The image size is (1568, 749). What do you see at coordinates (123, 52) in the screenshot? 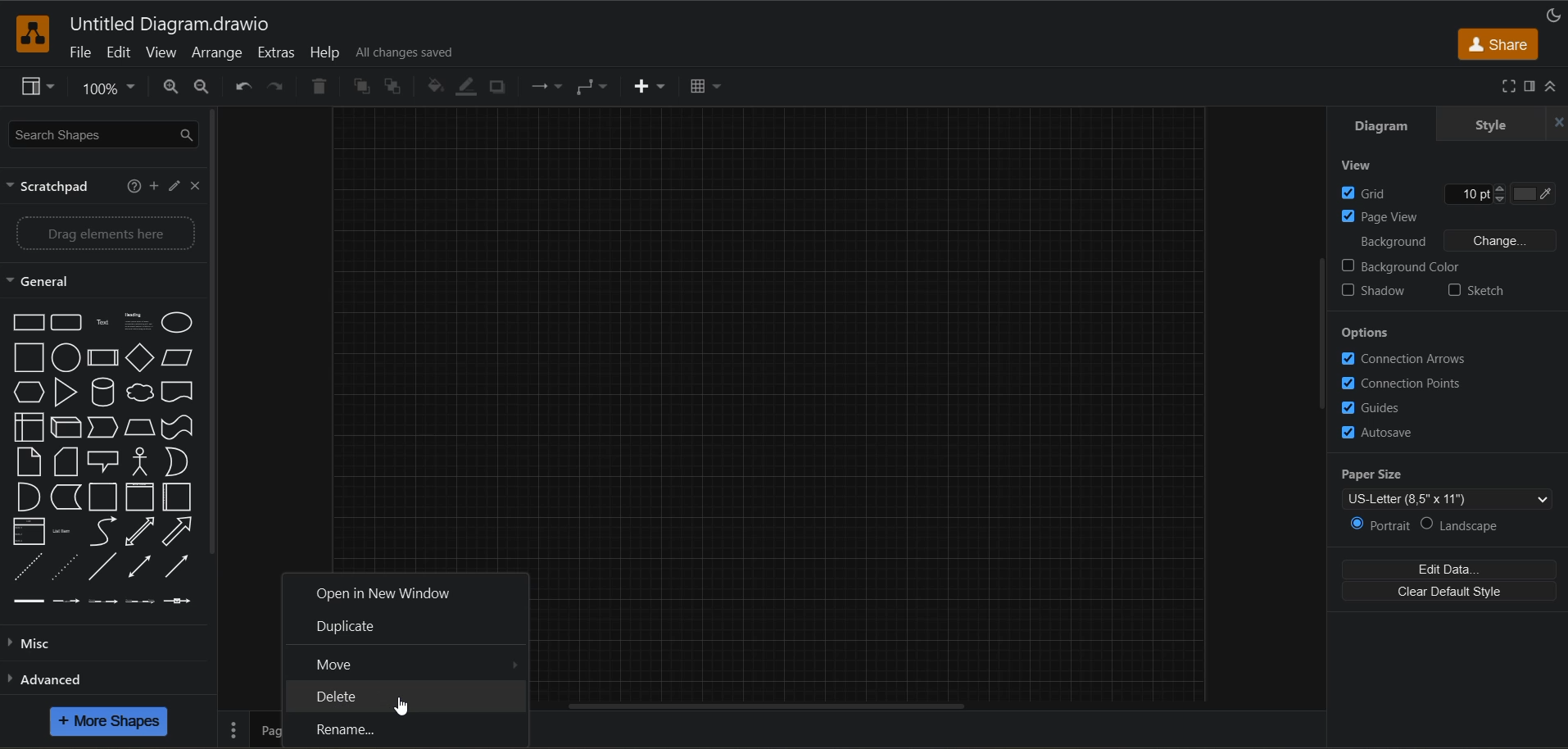
I see `edit` at bounding box center [123, 52].